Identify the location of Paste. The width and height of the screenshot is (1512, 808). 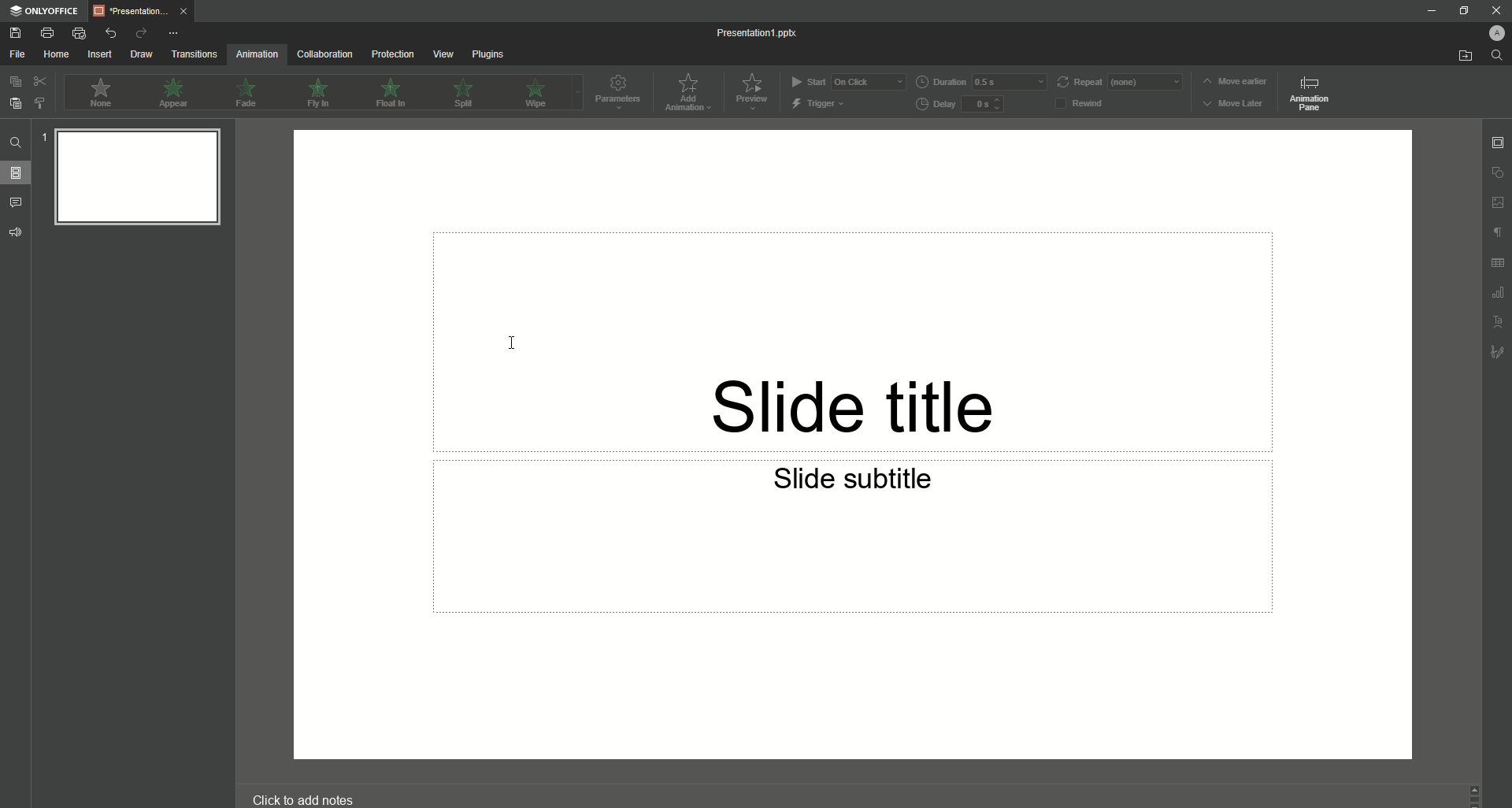
(14, 104).